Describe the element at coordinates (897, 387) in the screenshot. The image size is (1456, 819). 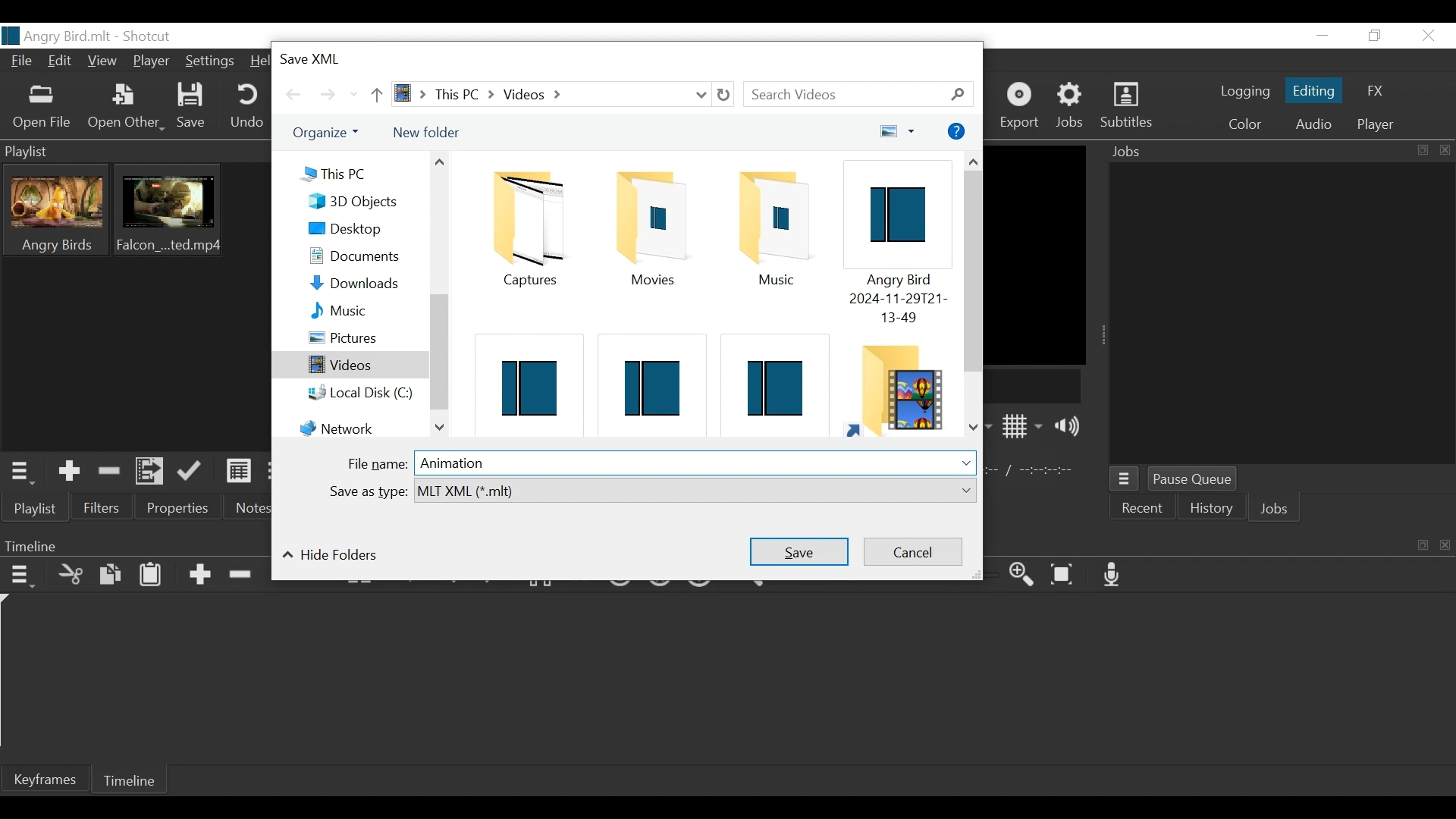
I see `Folder` at that location.